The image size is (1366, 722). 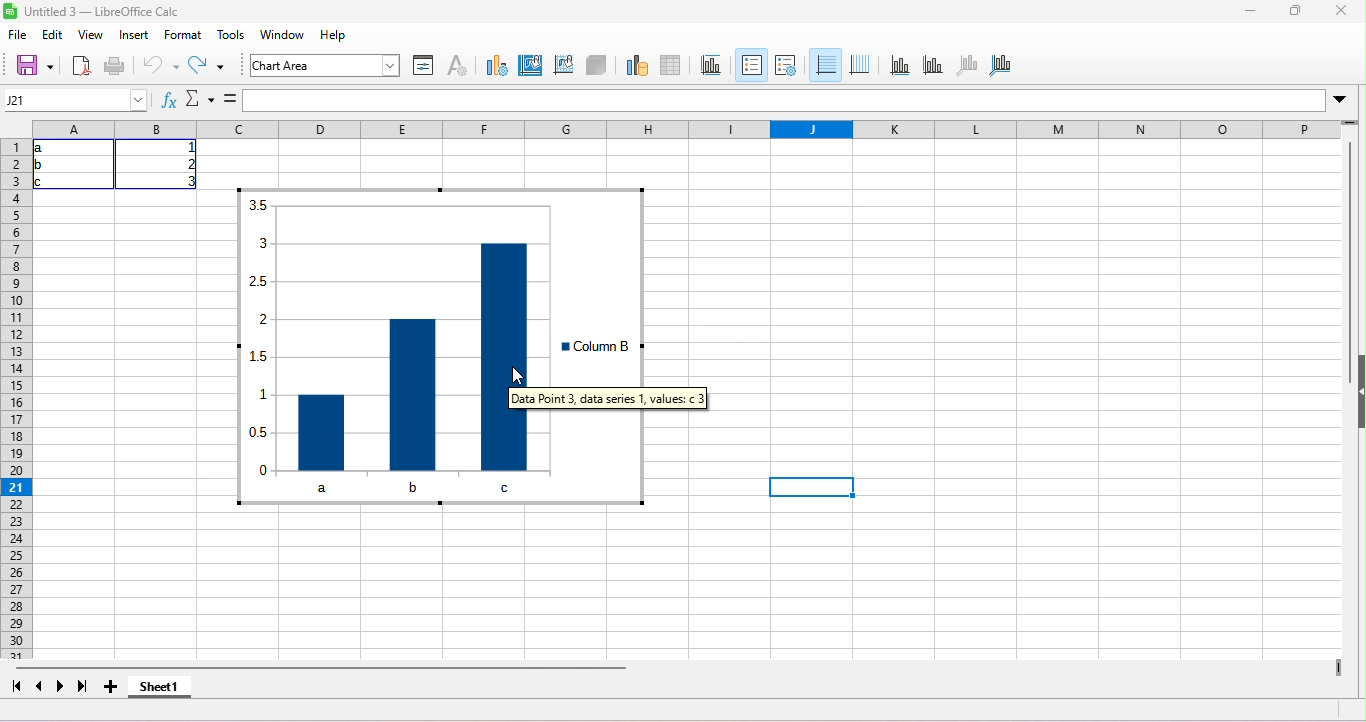 I want to click on print, so click(x=123, y=68).